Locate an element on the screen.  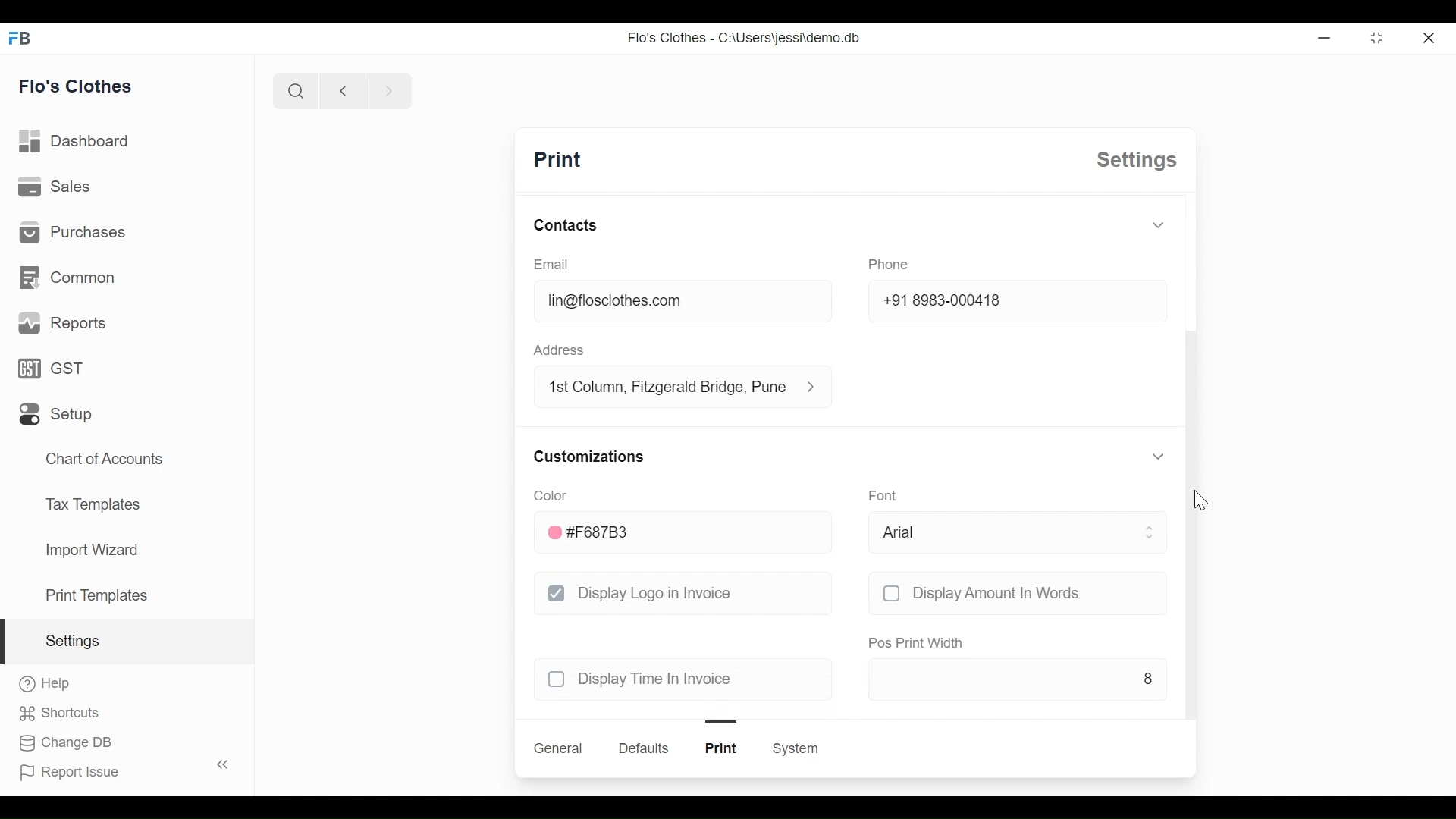
checkbox is located at coordinates (557, 679).